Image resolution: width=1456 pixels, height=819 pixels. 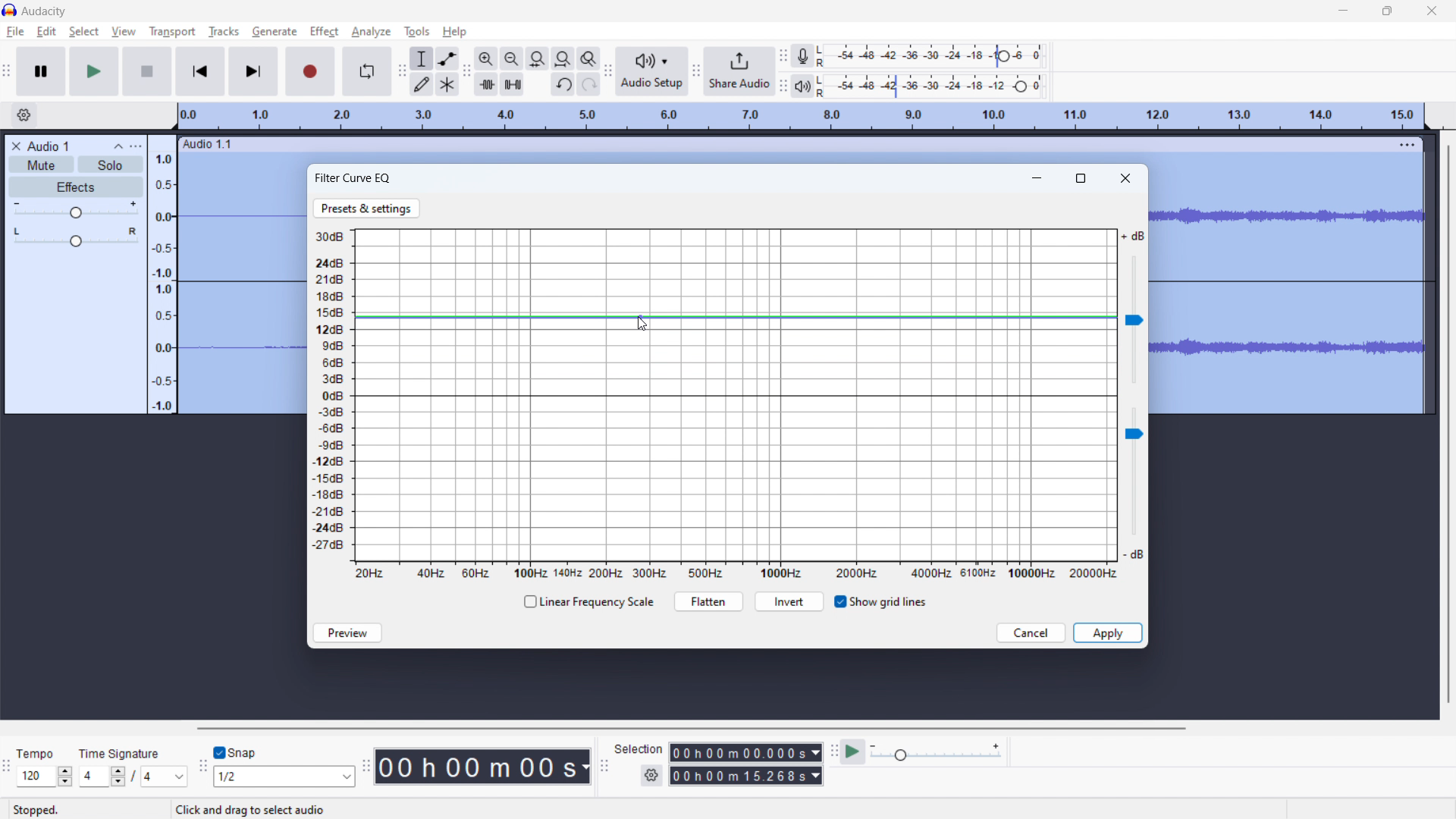 I want to click on horizontal scrollbar, so click(x=689, y=728).